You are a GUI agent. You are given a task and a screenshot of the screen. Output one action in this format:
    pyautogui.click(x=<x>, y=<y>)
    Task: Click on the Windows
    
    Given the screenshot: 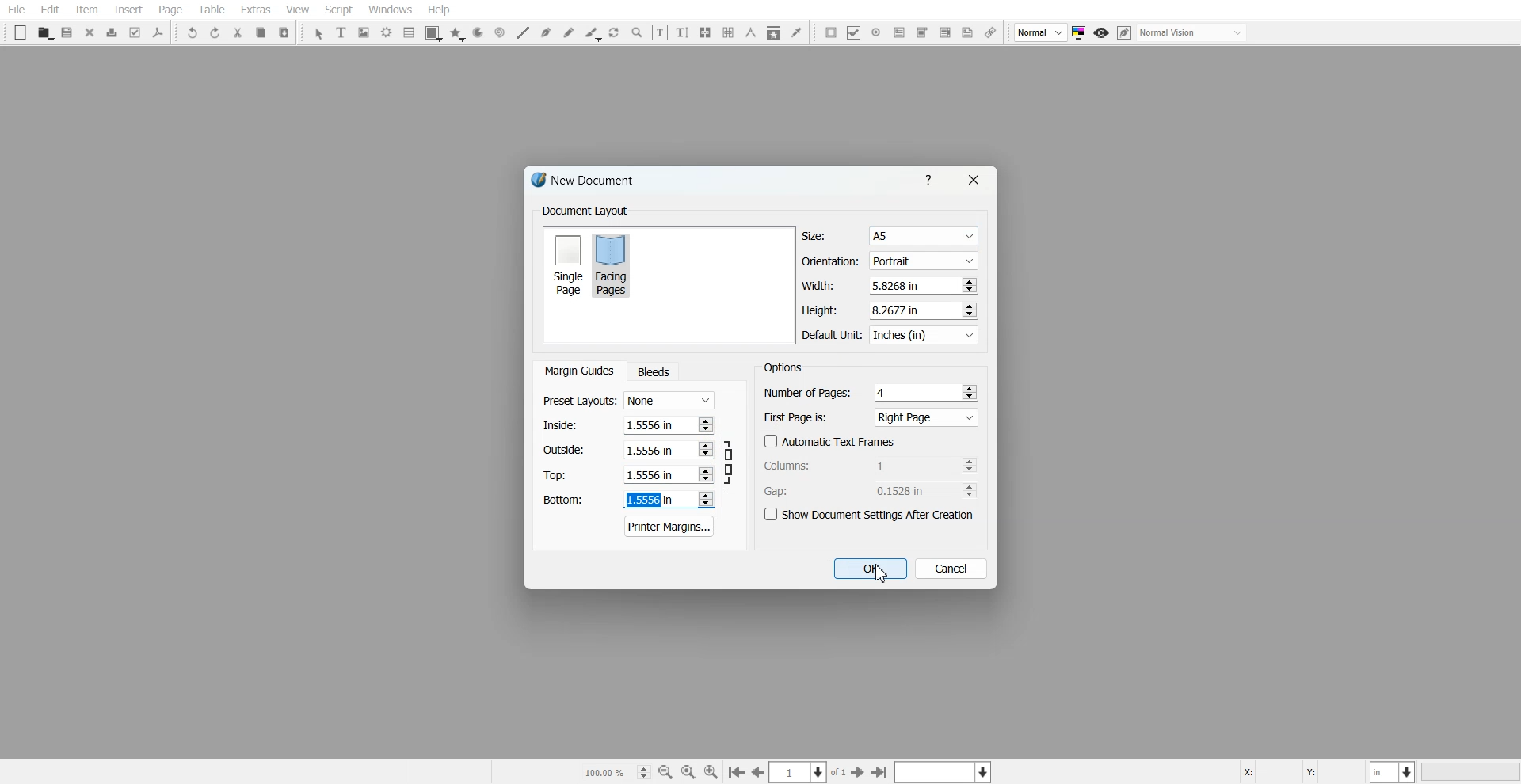 What is the action you would take?
    pyautogui.click(x=391, y=10)
    